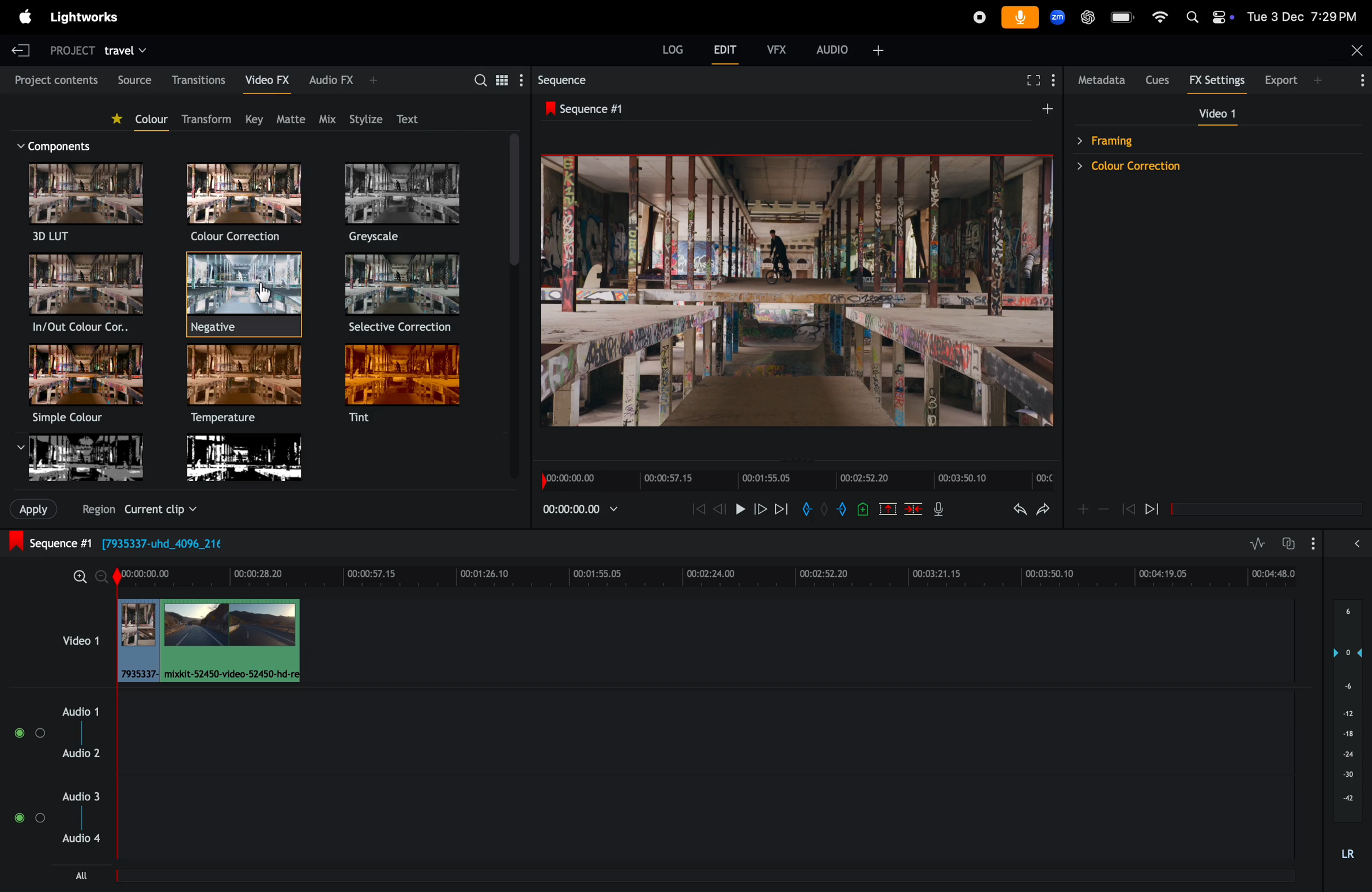 This screenshot has width=1372, height=892. Describe the element at coordinates (131, 77) in the screenshot. I see `Source` at that location.